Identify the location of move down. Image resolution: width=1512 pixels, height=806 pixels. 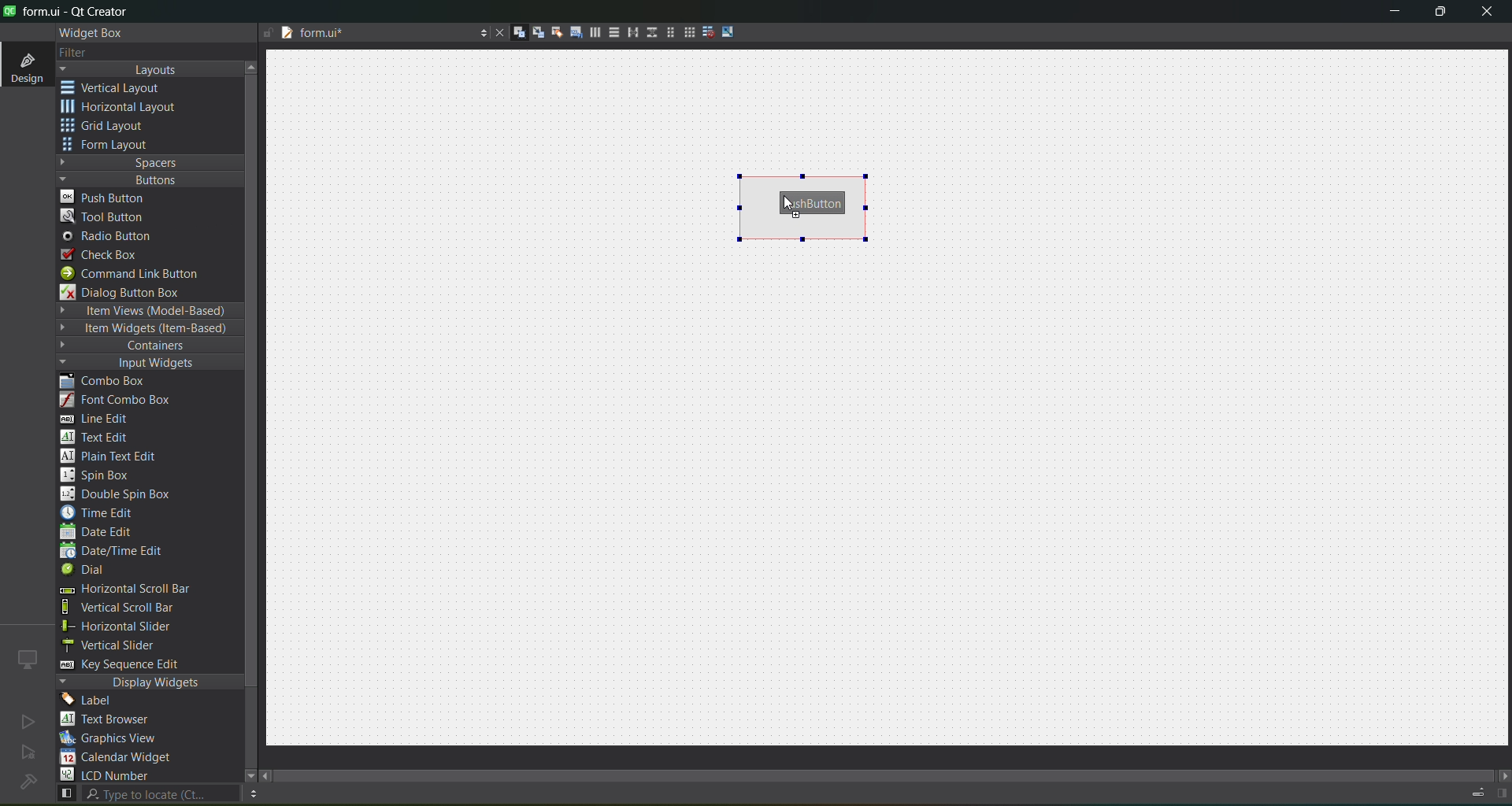
(243, 774).